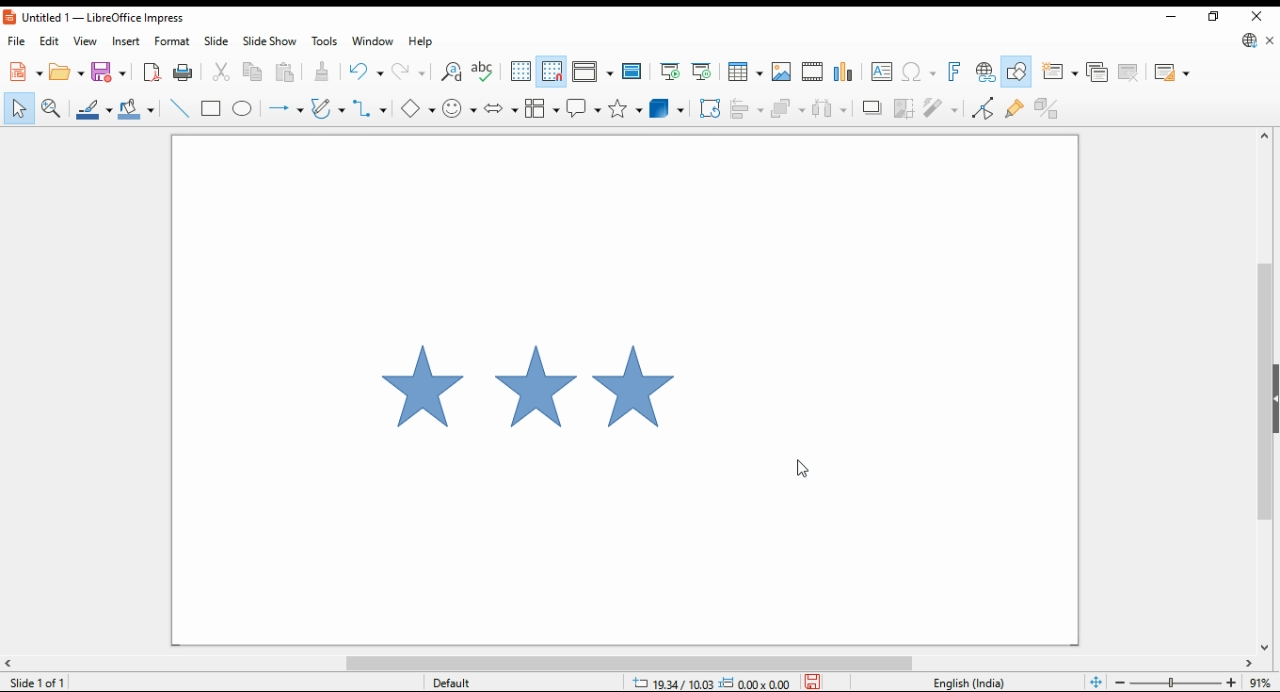 The width and height of the screenshot is (1280, 692). Describe the element at coordinates (139, 108) in the screenshot. I see `fill color` at that location.